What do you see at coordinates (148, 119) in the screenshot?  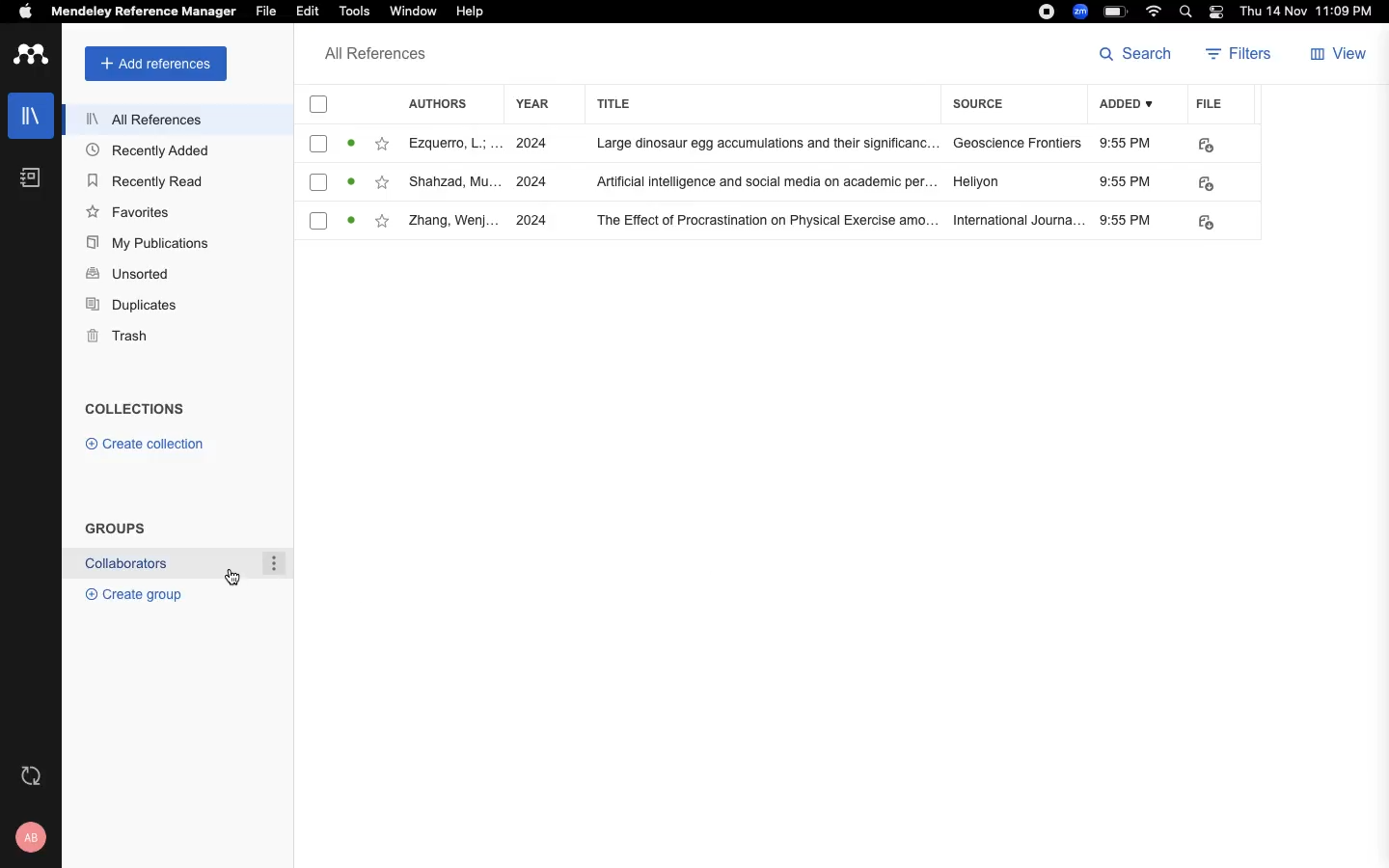 I see `All References` at bounding box center [148, 119].